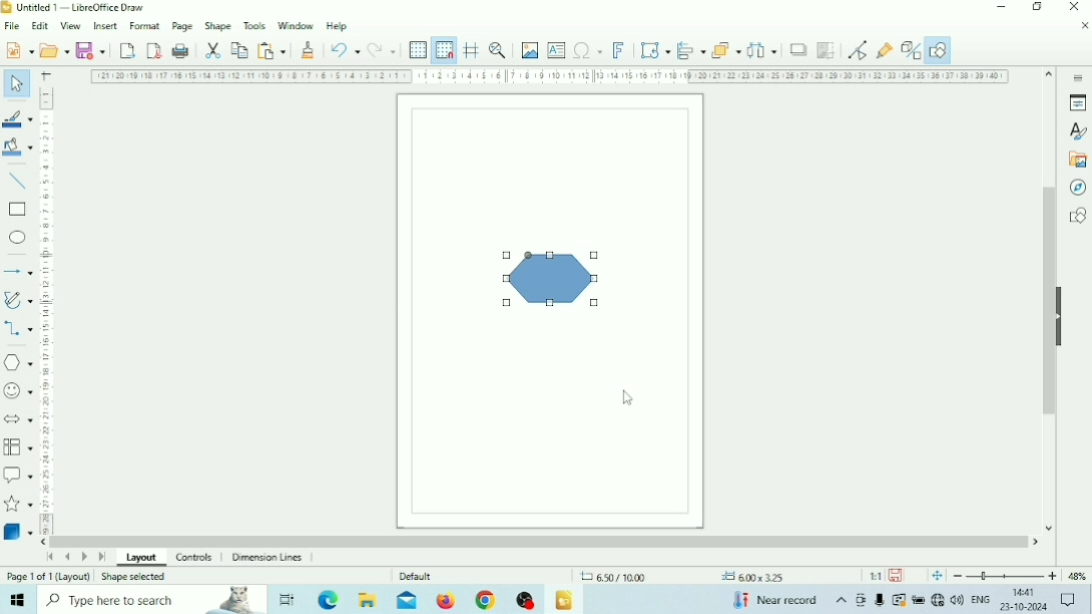 The image size is (1092, 614). I want to click on Align Objects, so click(691, 50).